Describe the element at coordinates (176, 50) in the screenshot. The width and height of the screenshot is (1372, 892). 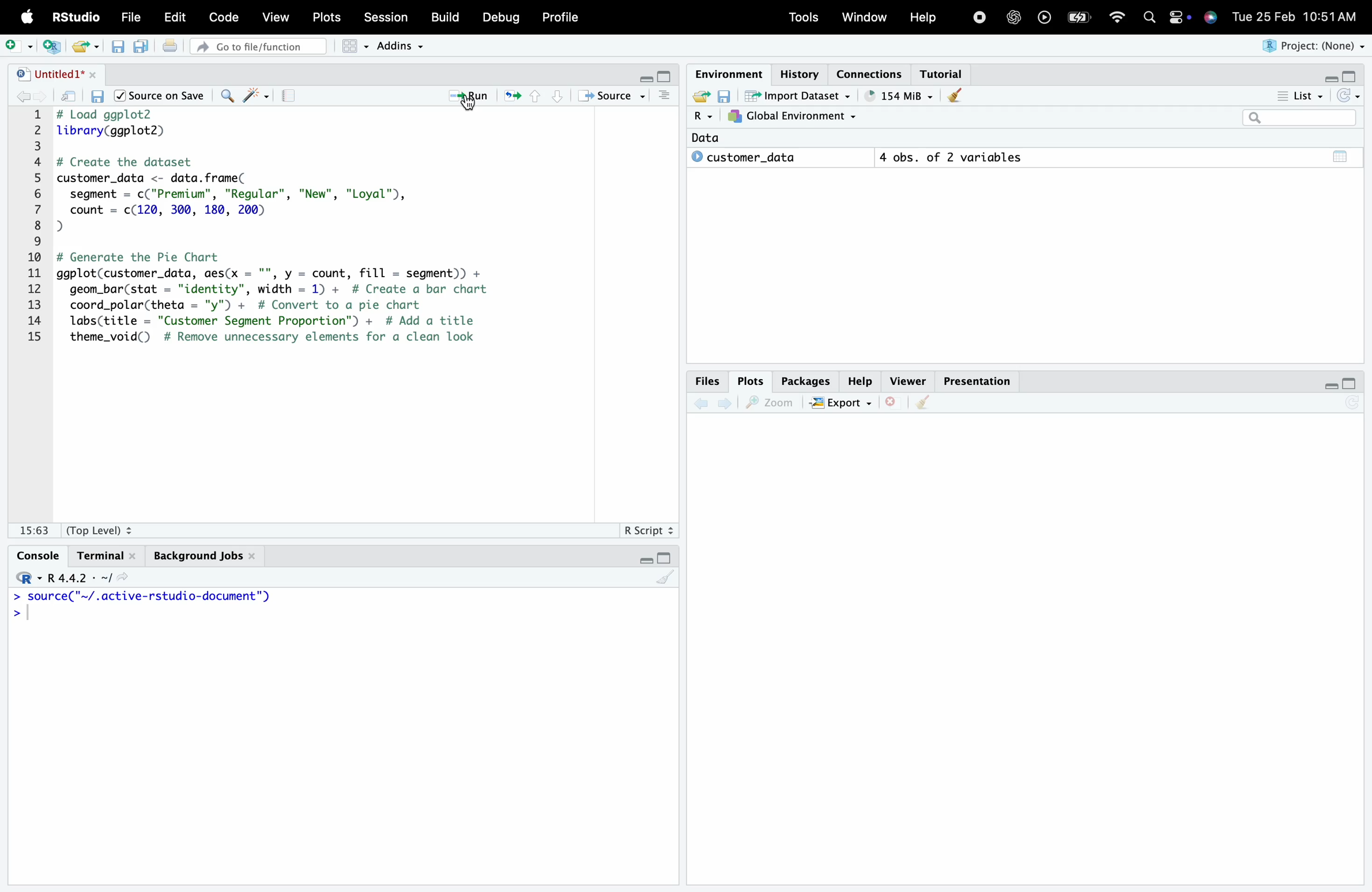
I see `print` at that location.